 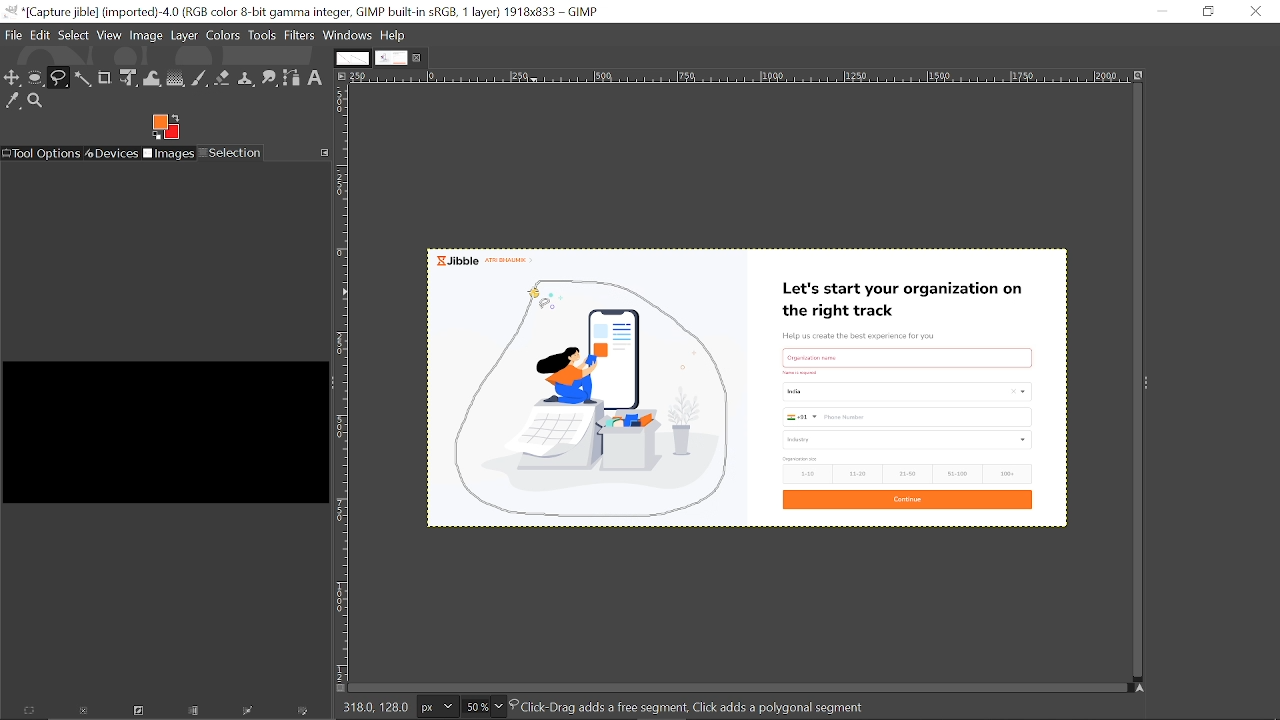 I want to click on Horizontal label, so click(x=738, y=78).